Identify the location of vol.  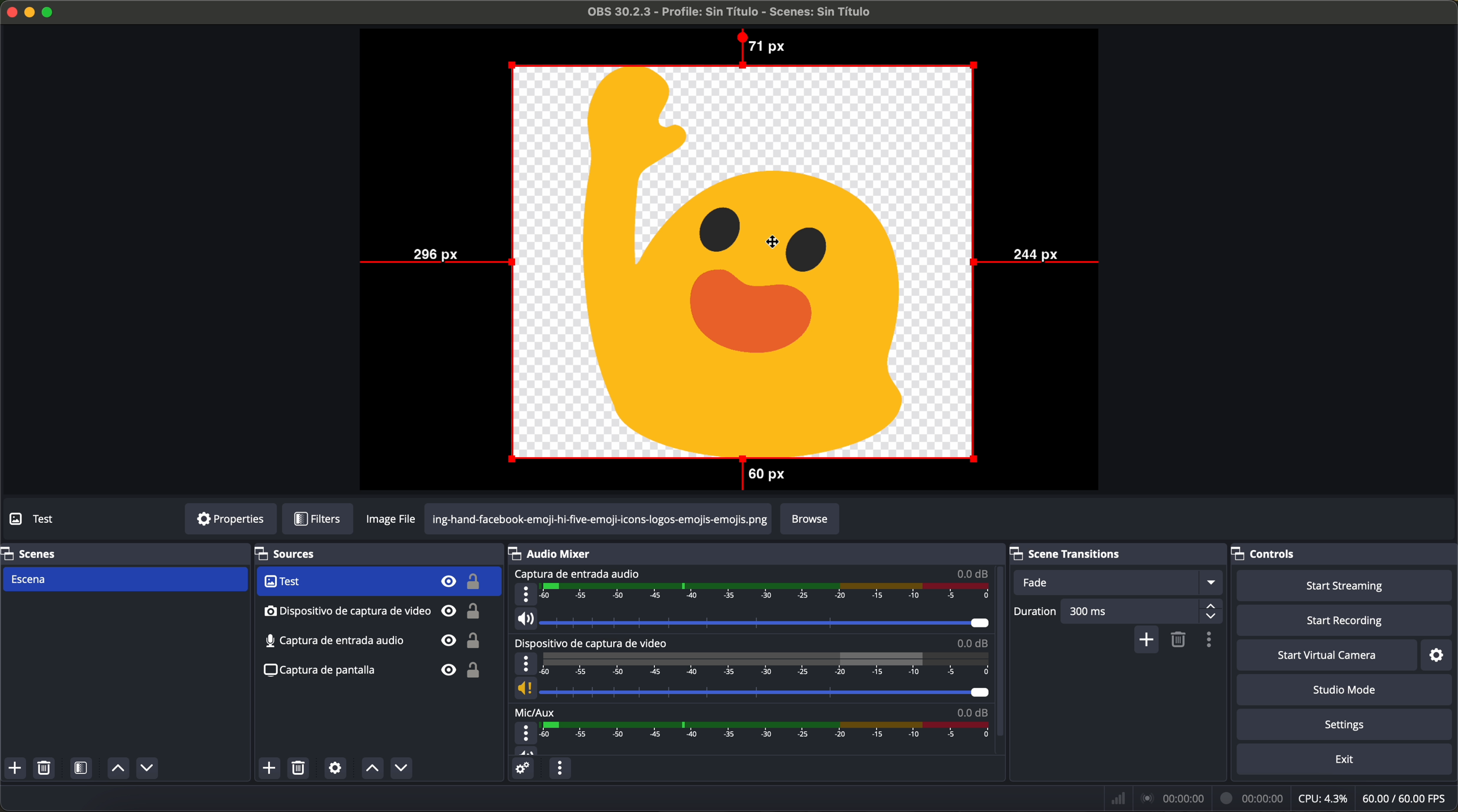
(751, 689).